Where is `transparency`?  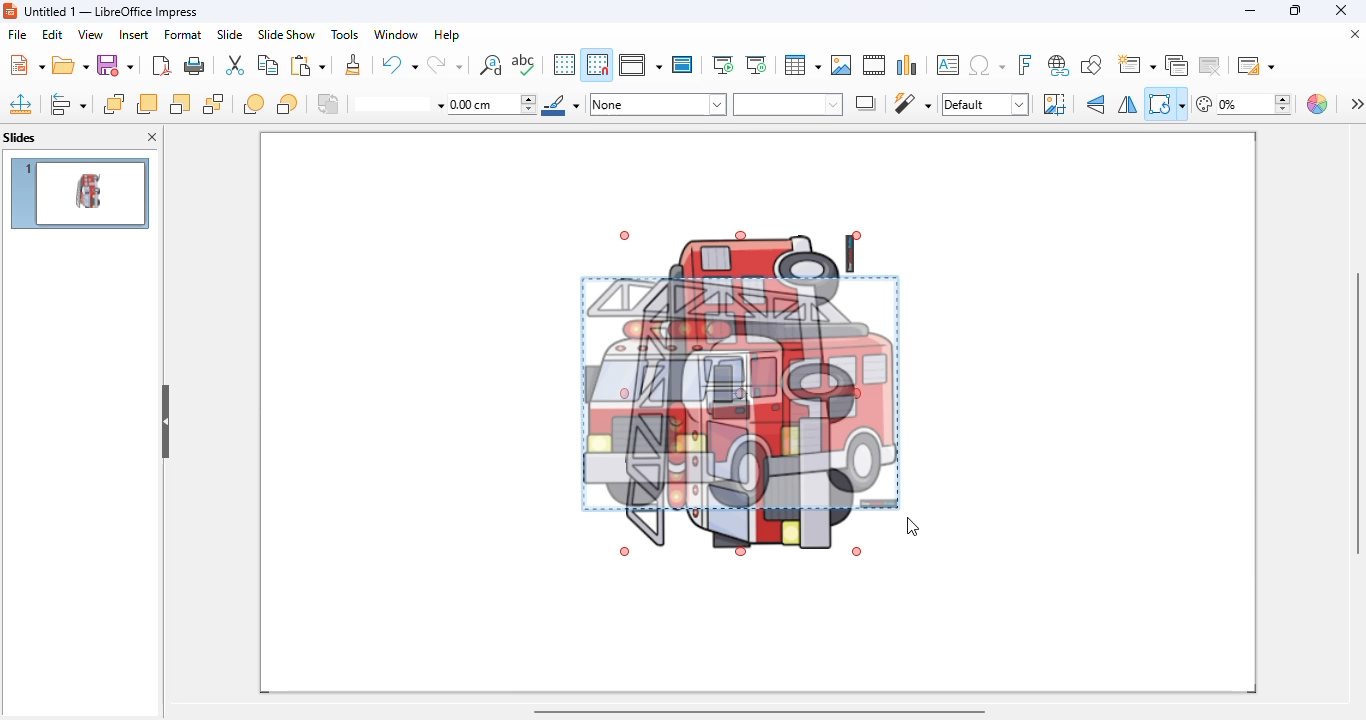 transparency is located at coordinates (1244, 104).